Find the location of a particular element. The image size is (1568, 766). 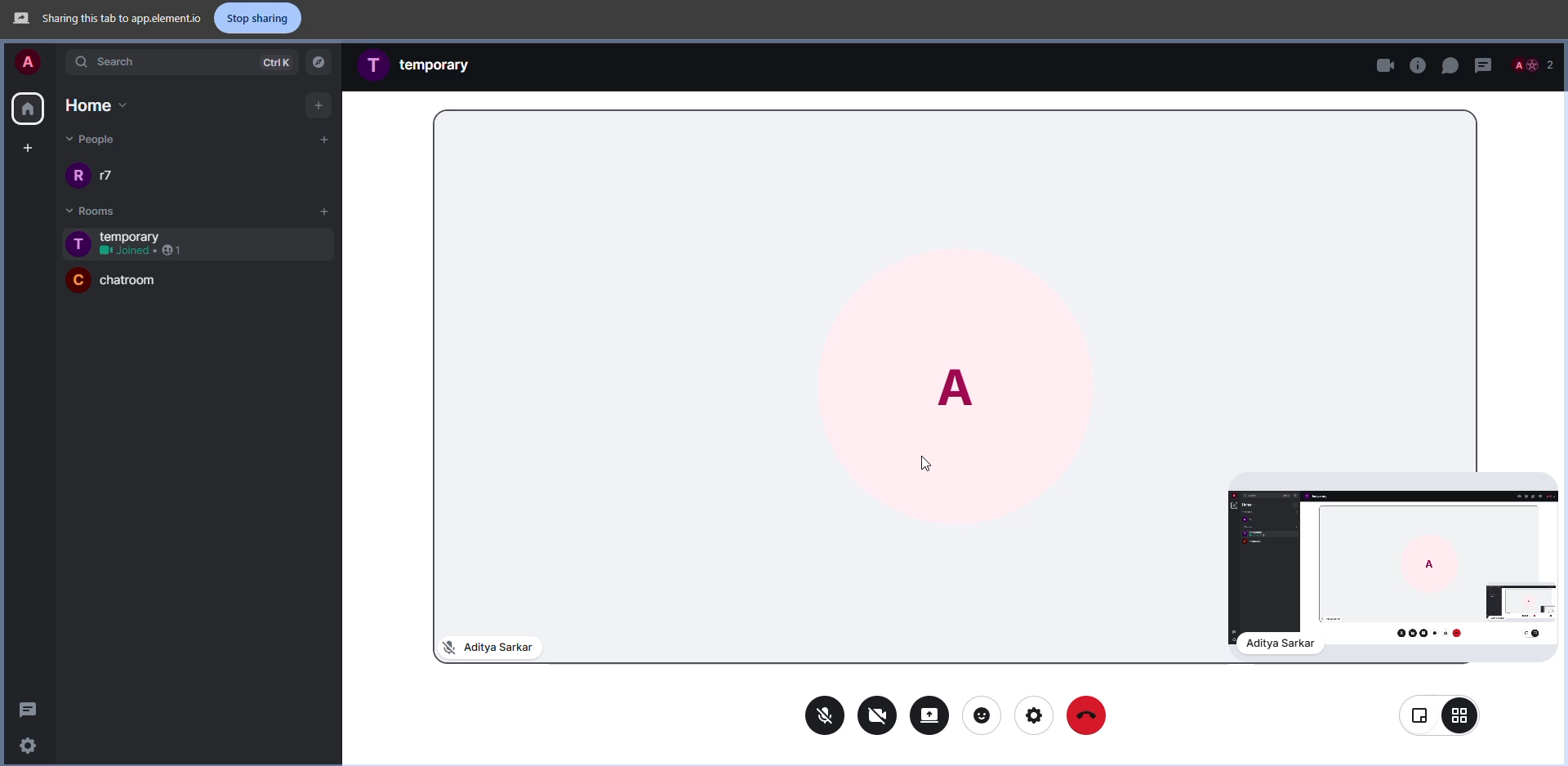

settings is located at coordinates (34, 745).